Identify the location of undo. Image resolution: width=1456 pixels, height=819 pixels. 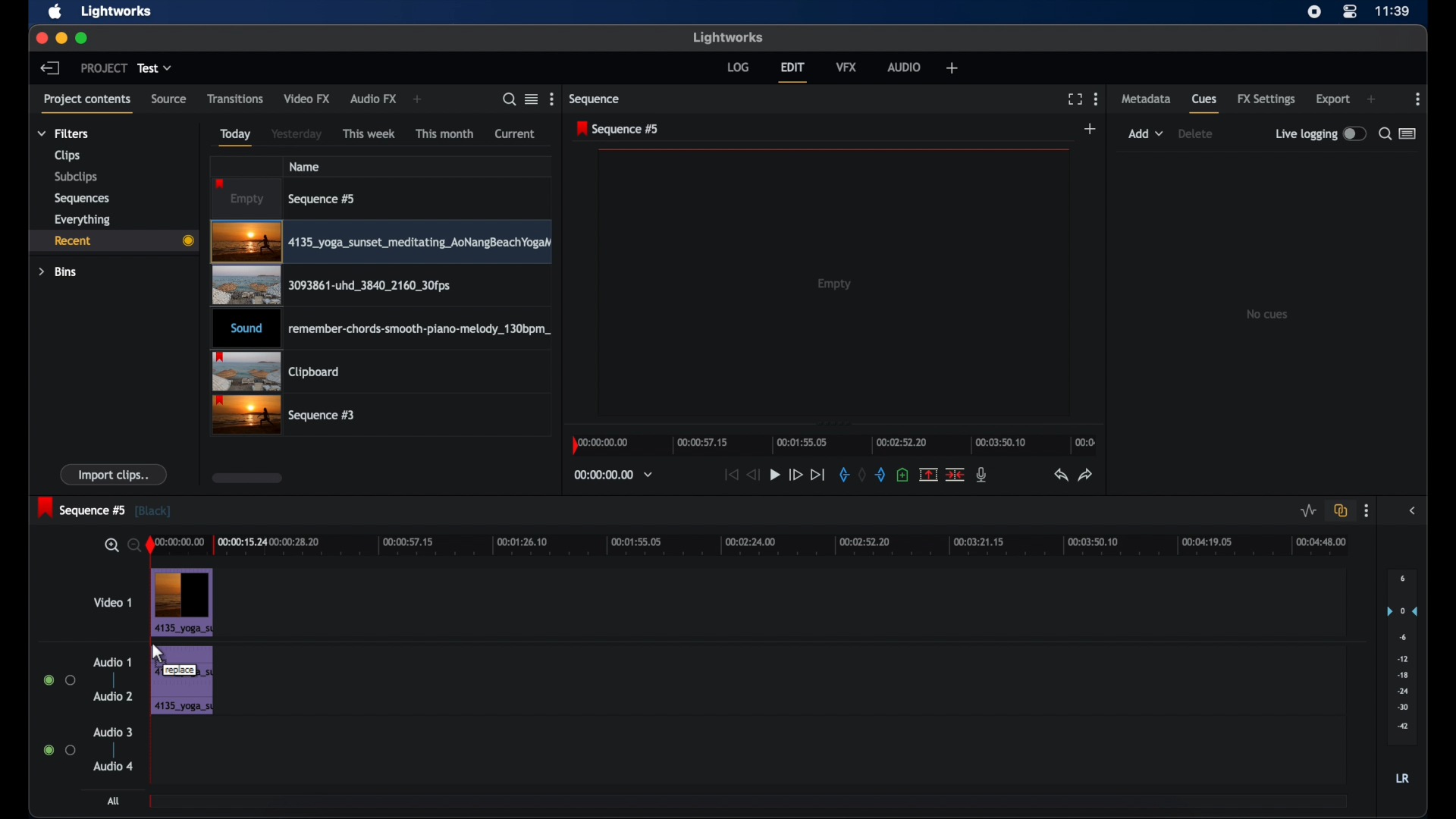
(1059, 475).